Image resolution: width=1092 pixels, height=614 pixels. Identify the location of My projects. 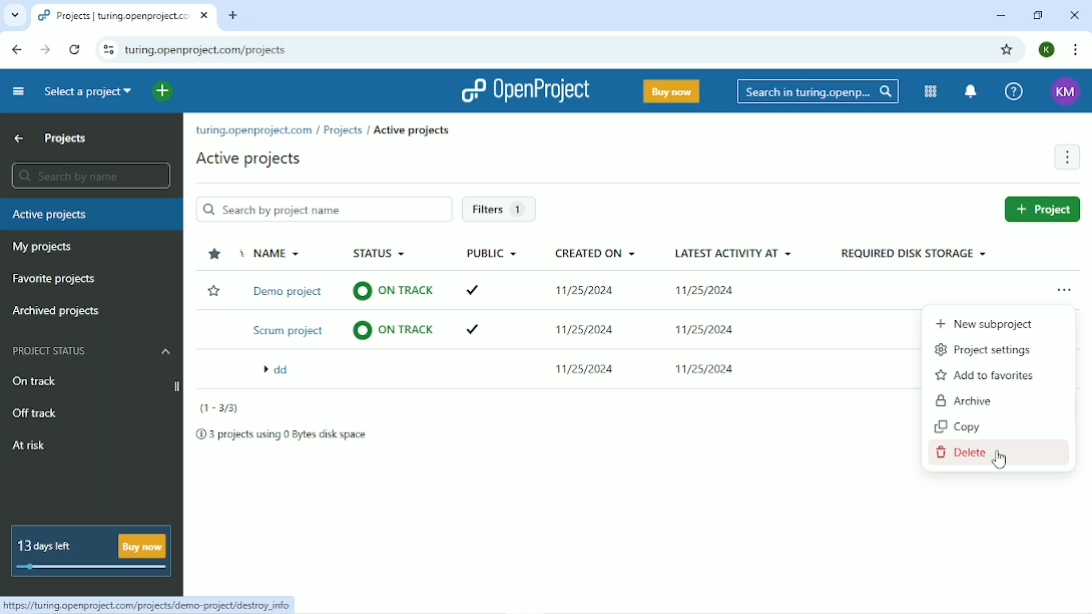
(44, 248).